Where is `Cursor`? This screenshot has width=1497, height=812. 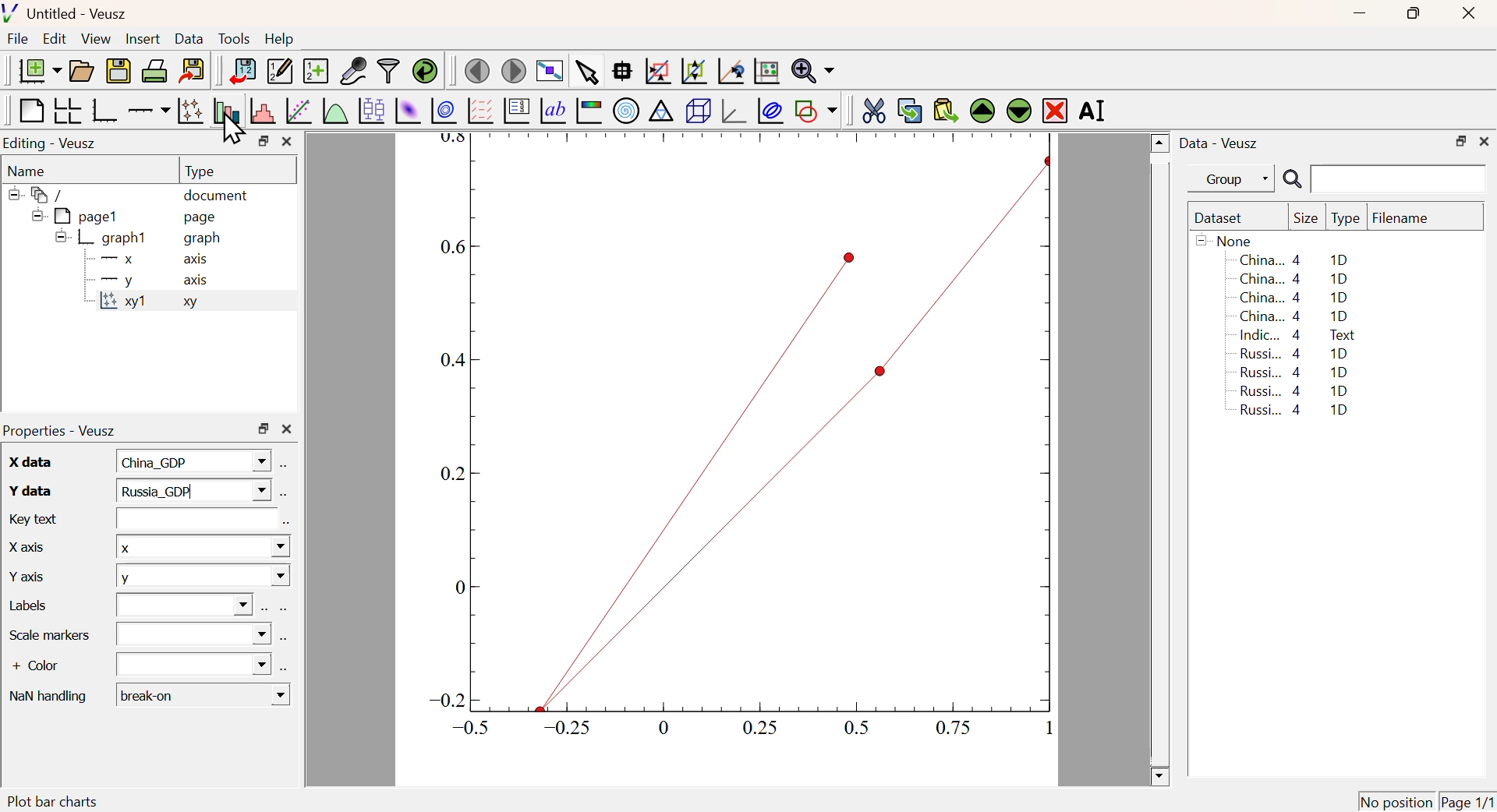 Cursor is located at coordinates (233, 129).